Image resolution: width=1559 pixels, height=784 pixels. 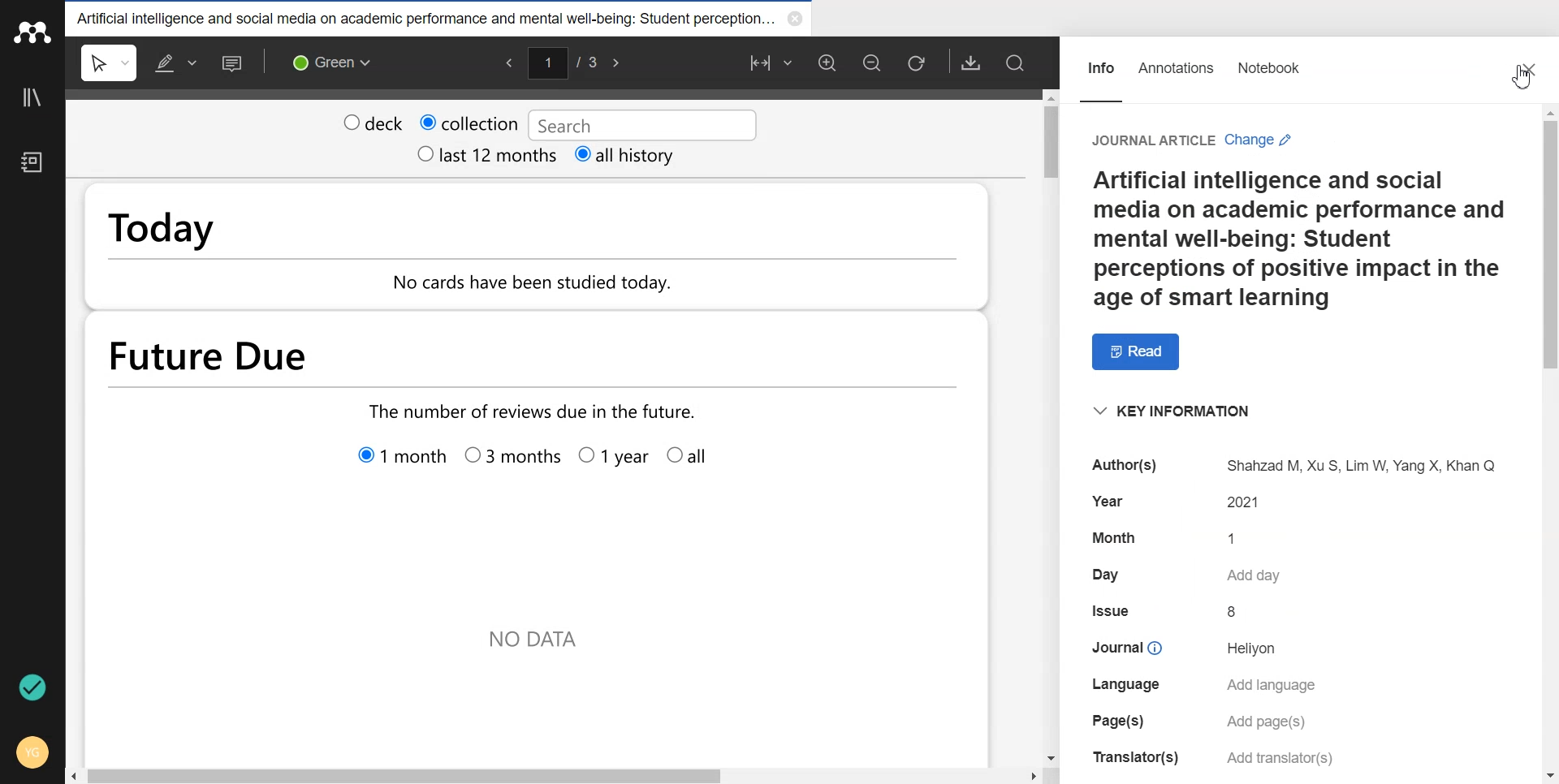 I want to click on Select current page, so click(x=563, y=61).